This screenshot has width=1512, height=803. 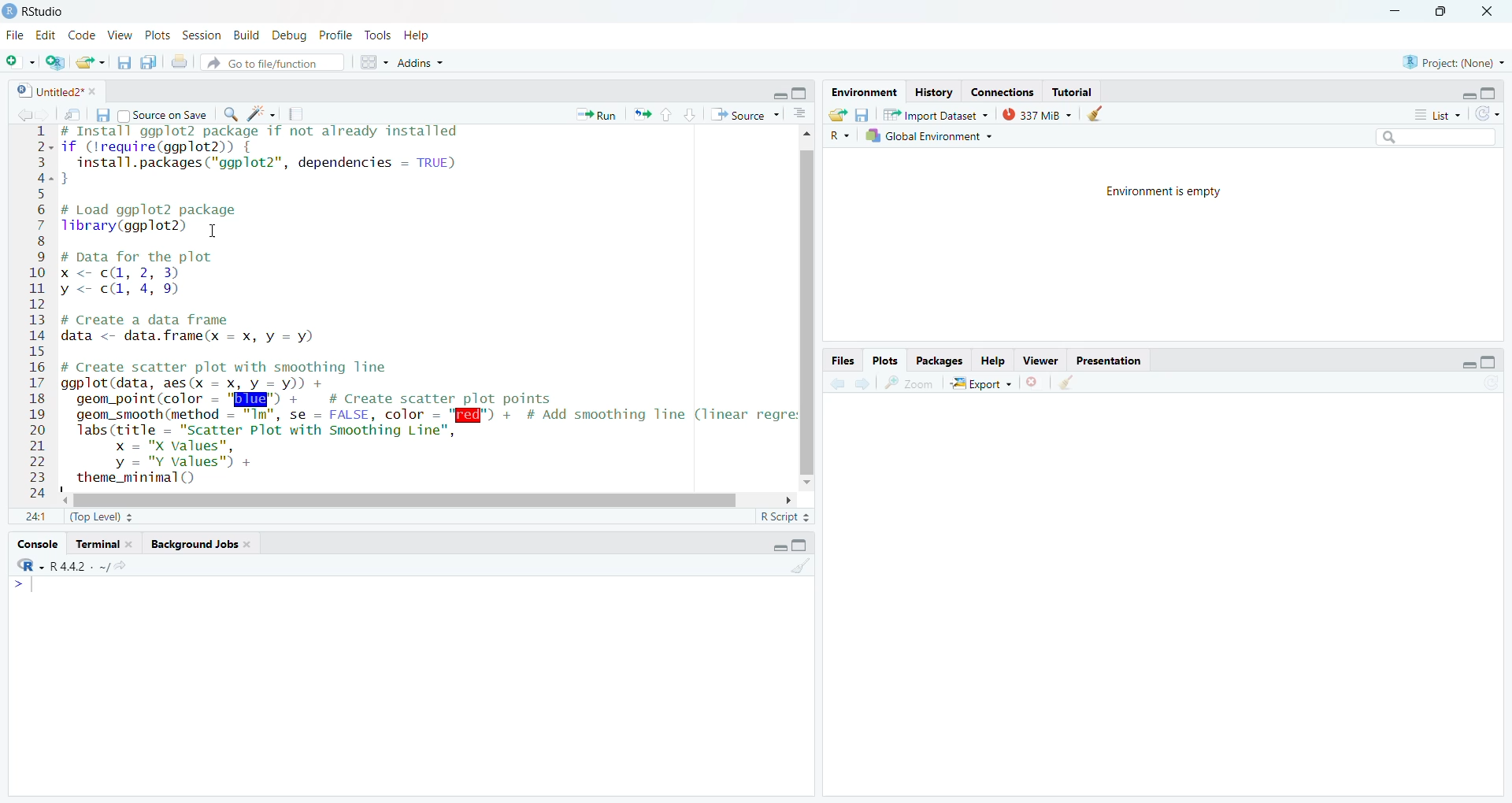 I want to click on List , so click(x=1439, y=116).